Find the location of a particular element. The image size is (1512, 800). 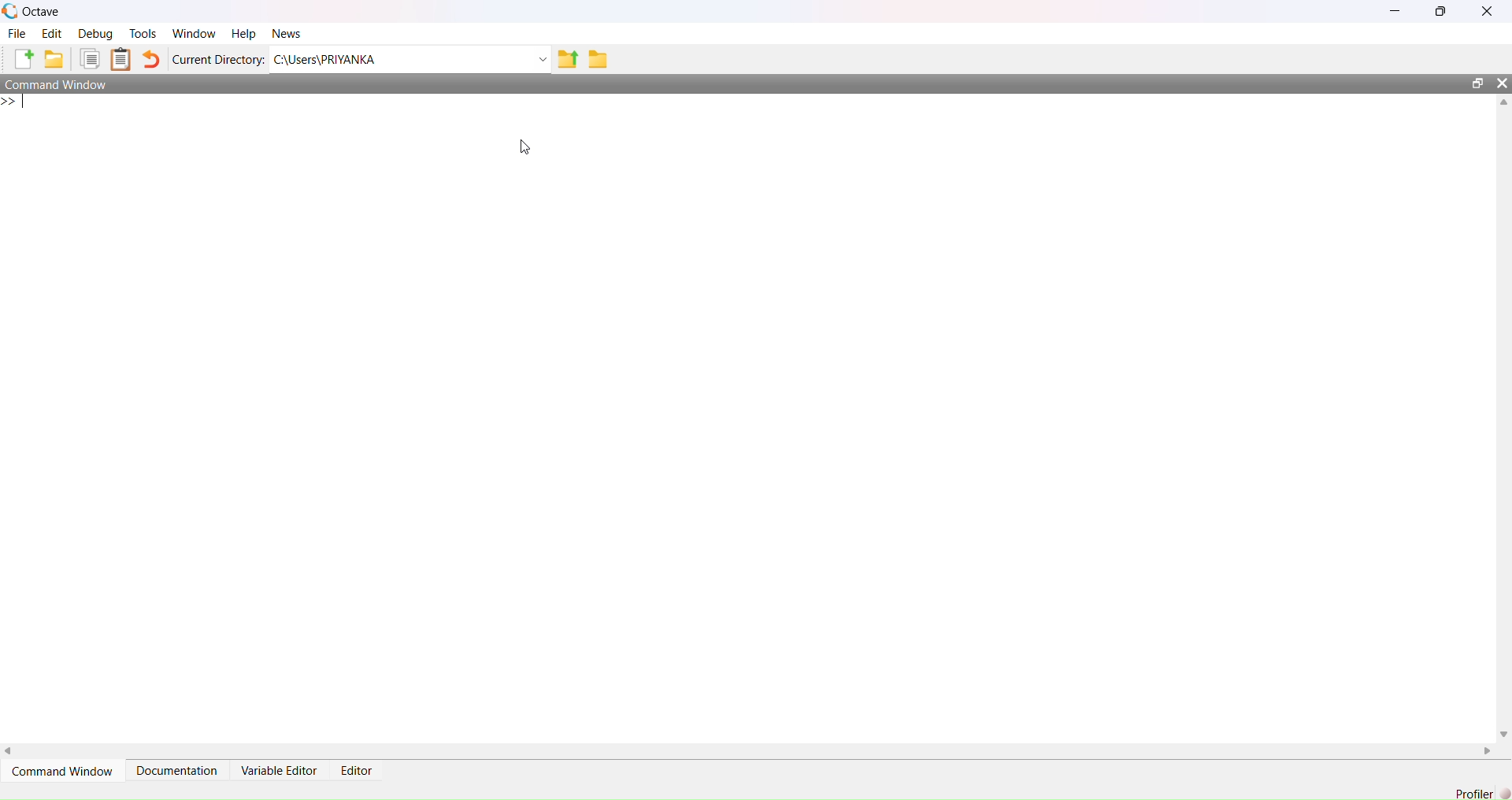

File is located at coordinates (17, 35).